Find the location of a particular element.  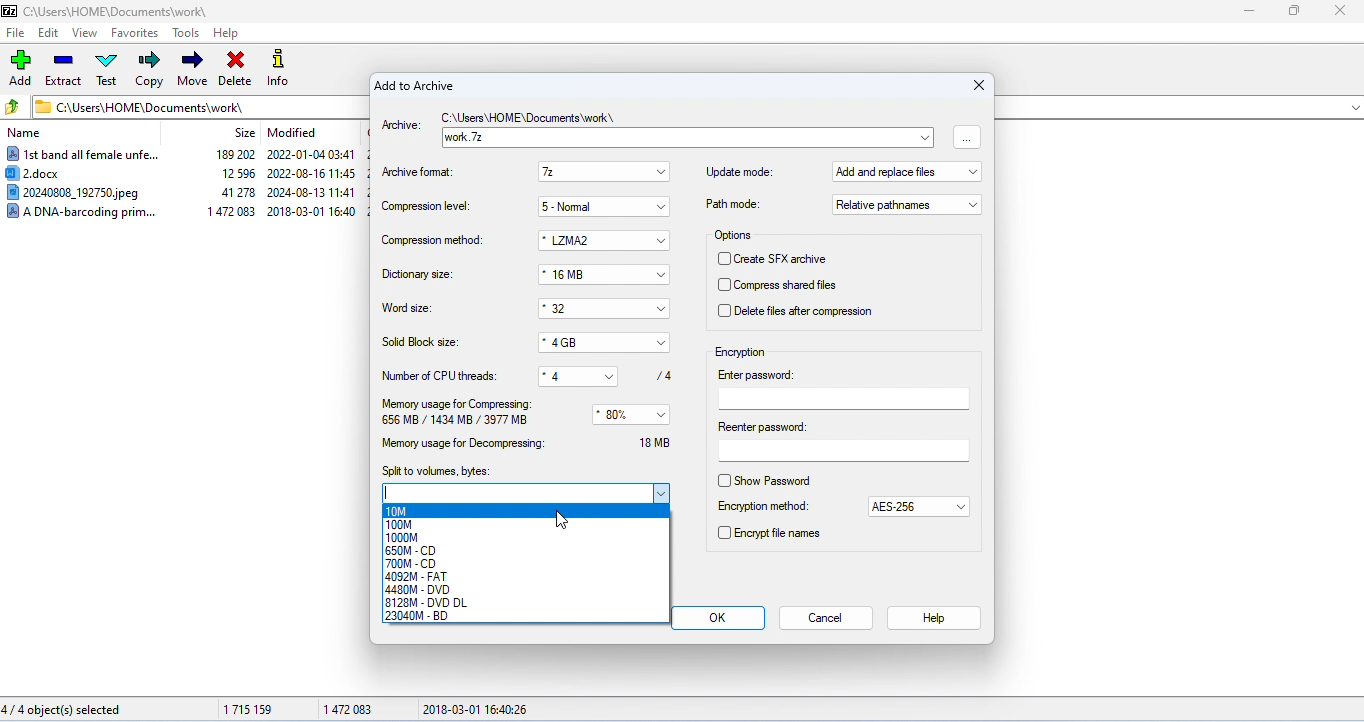

checkbox is located at coordinates (723, 259).